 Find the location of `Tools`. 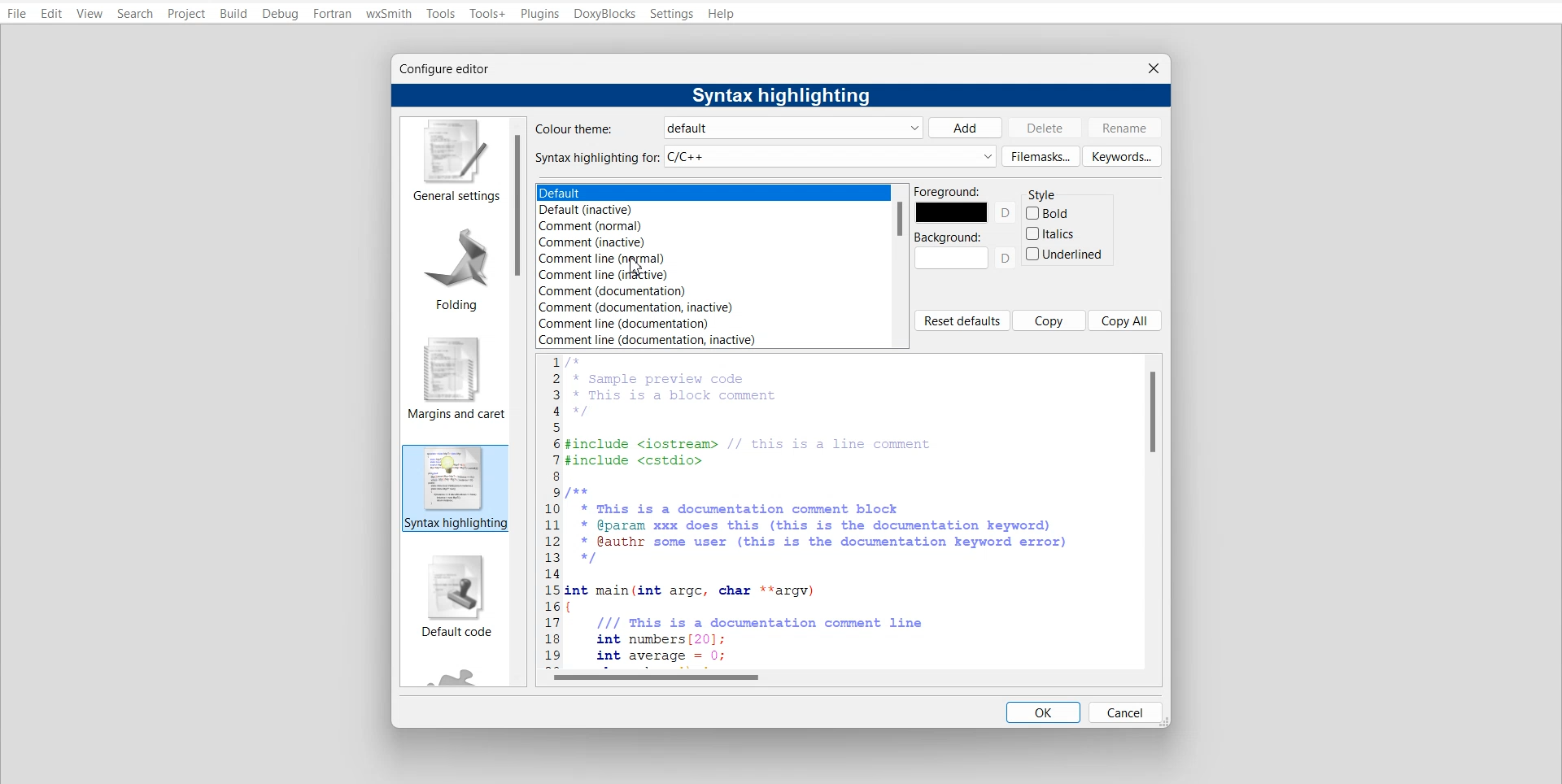

Tools is located at coordinates (441, 13).